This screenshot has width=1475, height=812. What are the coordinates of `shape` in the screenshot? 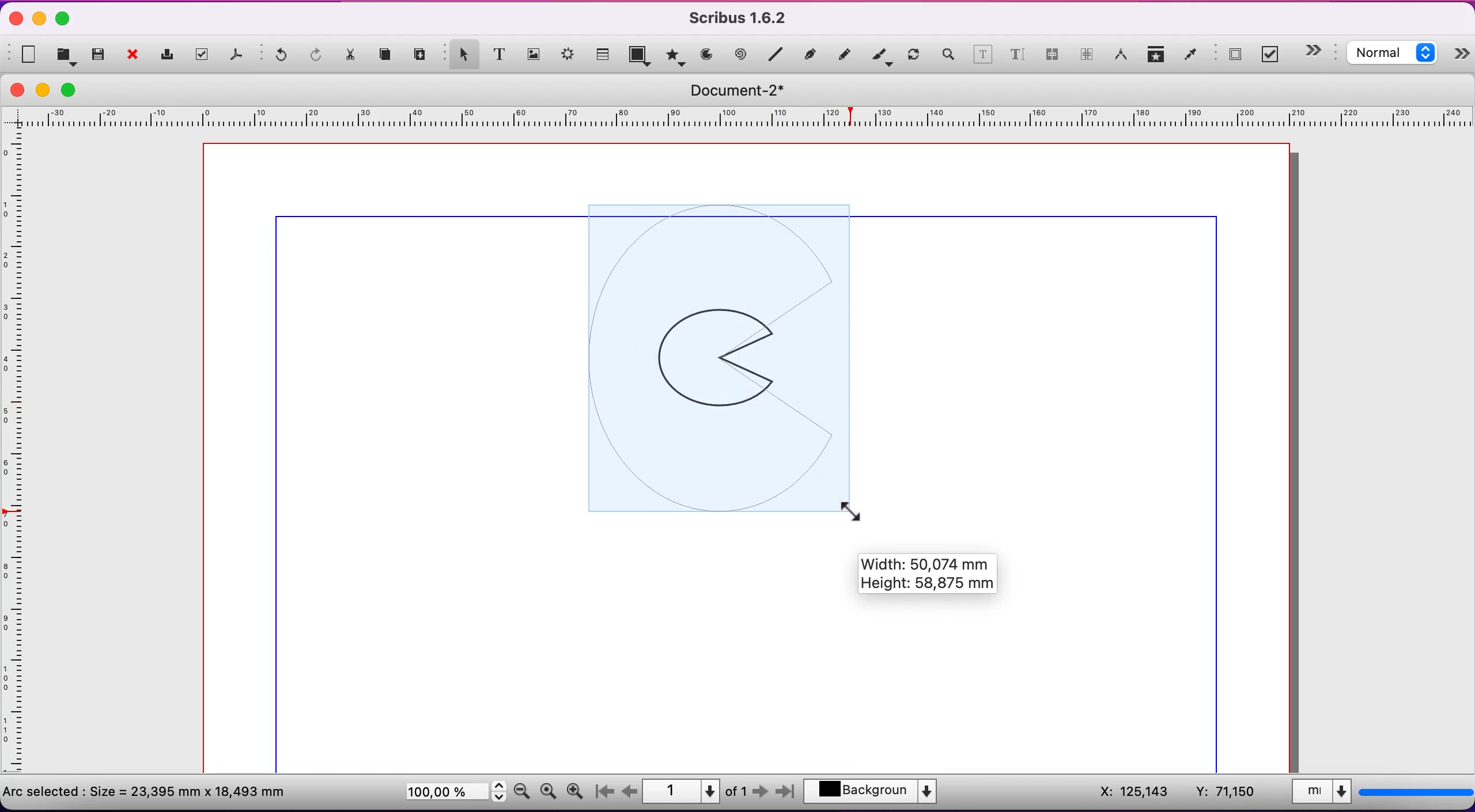 It's located at (641, 57).